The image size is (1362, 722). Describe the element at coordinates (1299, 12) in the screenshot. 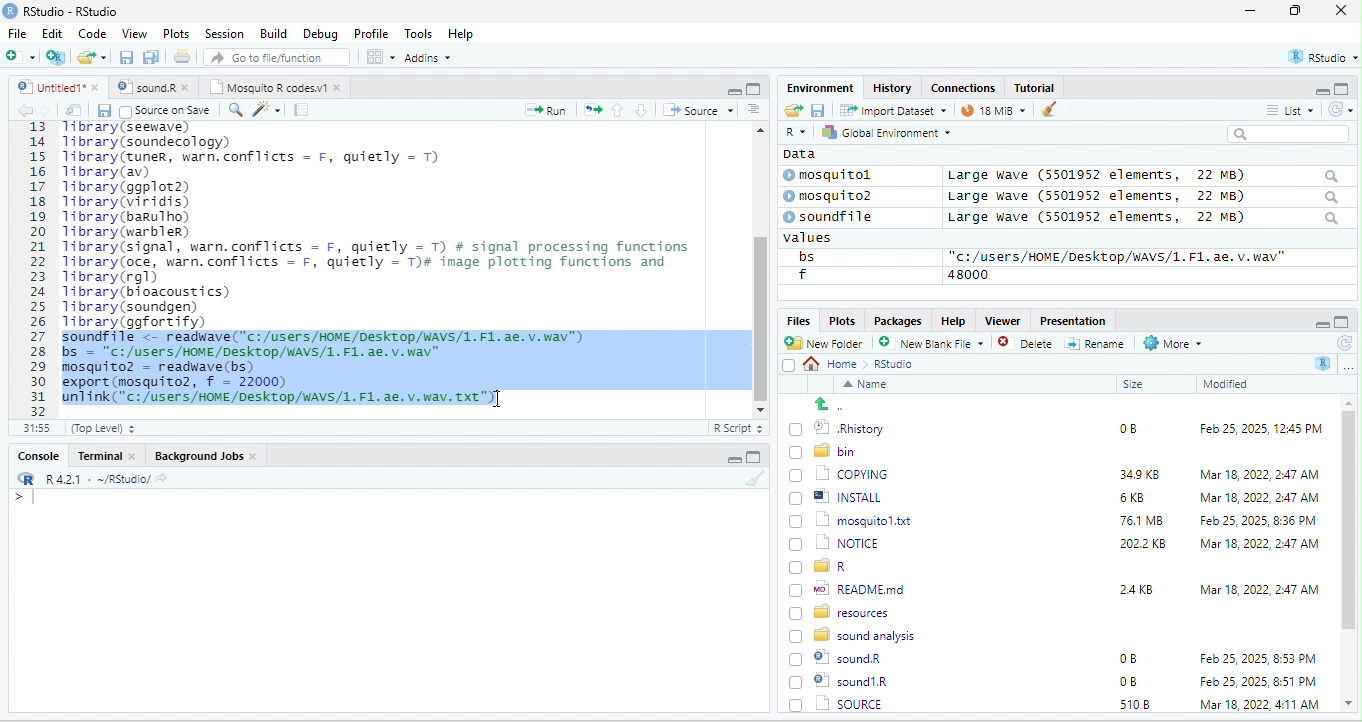

I see `maximize` at that location.